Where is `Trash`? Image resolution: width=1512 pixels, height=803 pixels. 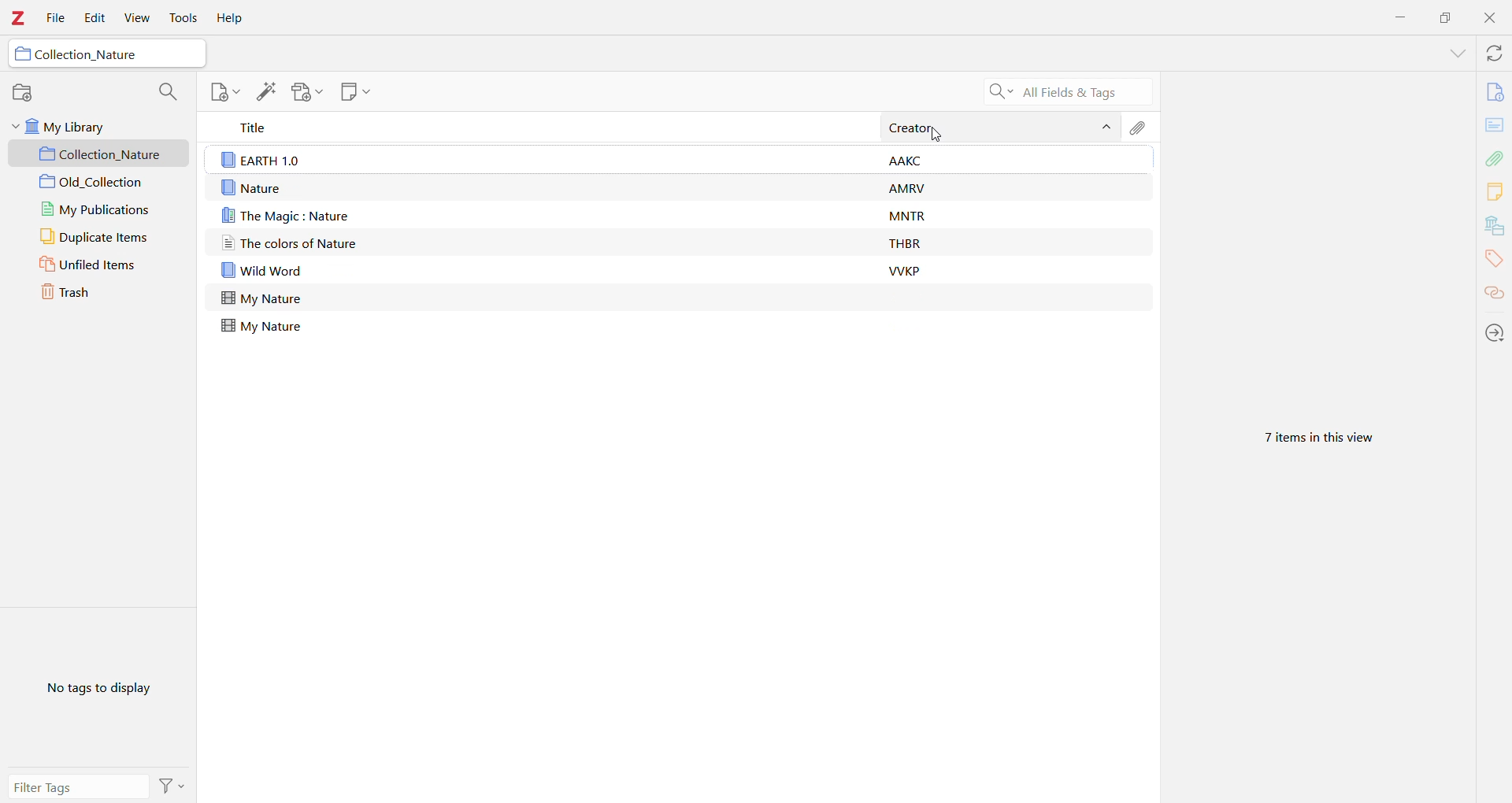 Trash is located at coordinates (105, 293).